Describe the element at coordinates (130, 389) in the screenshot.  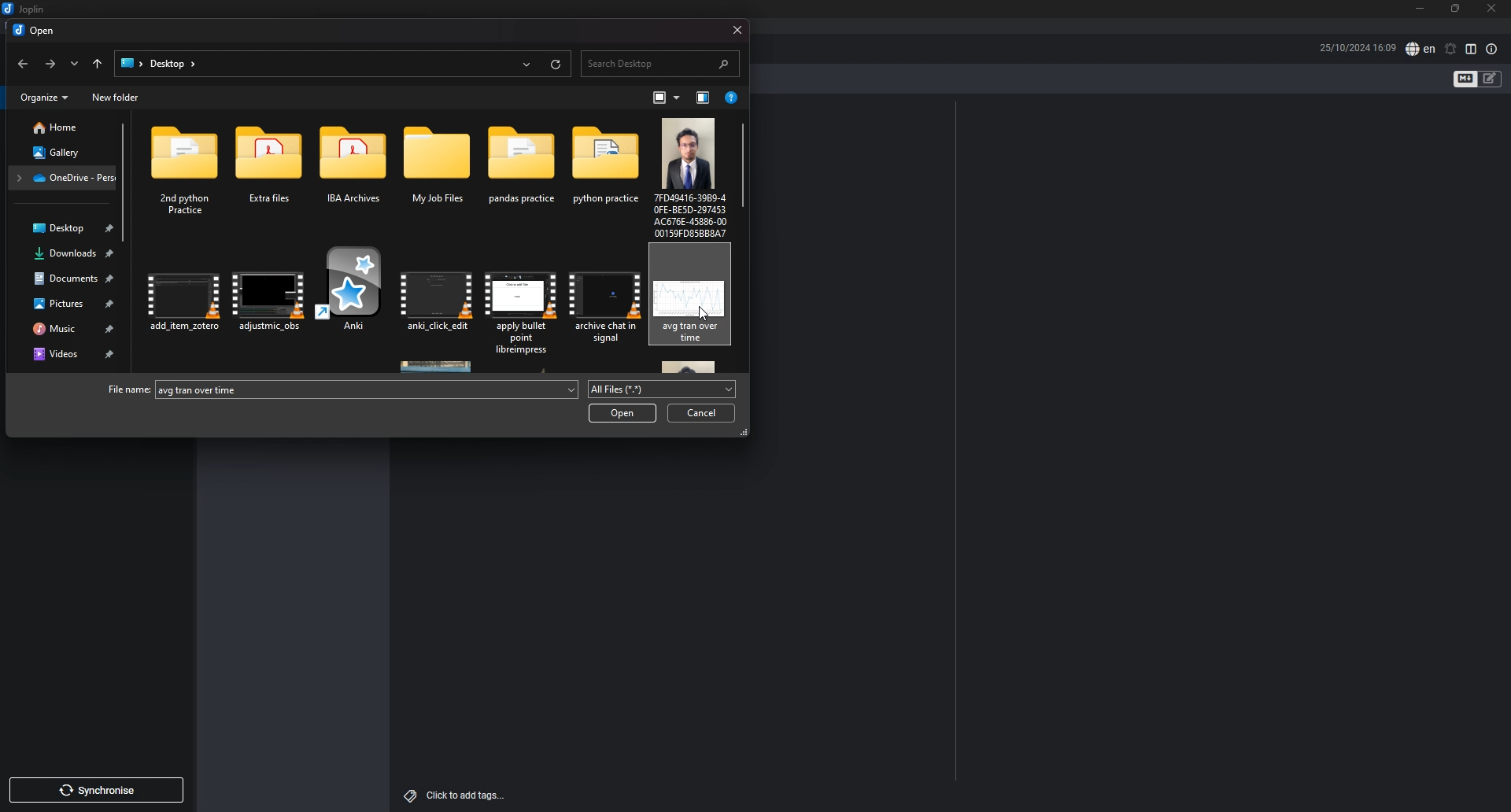
I see `file name` at that location.